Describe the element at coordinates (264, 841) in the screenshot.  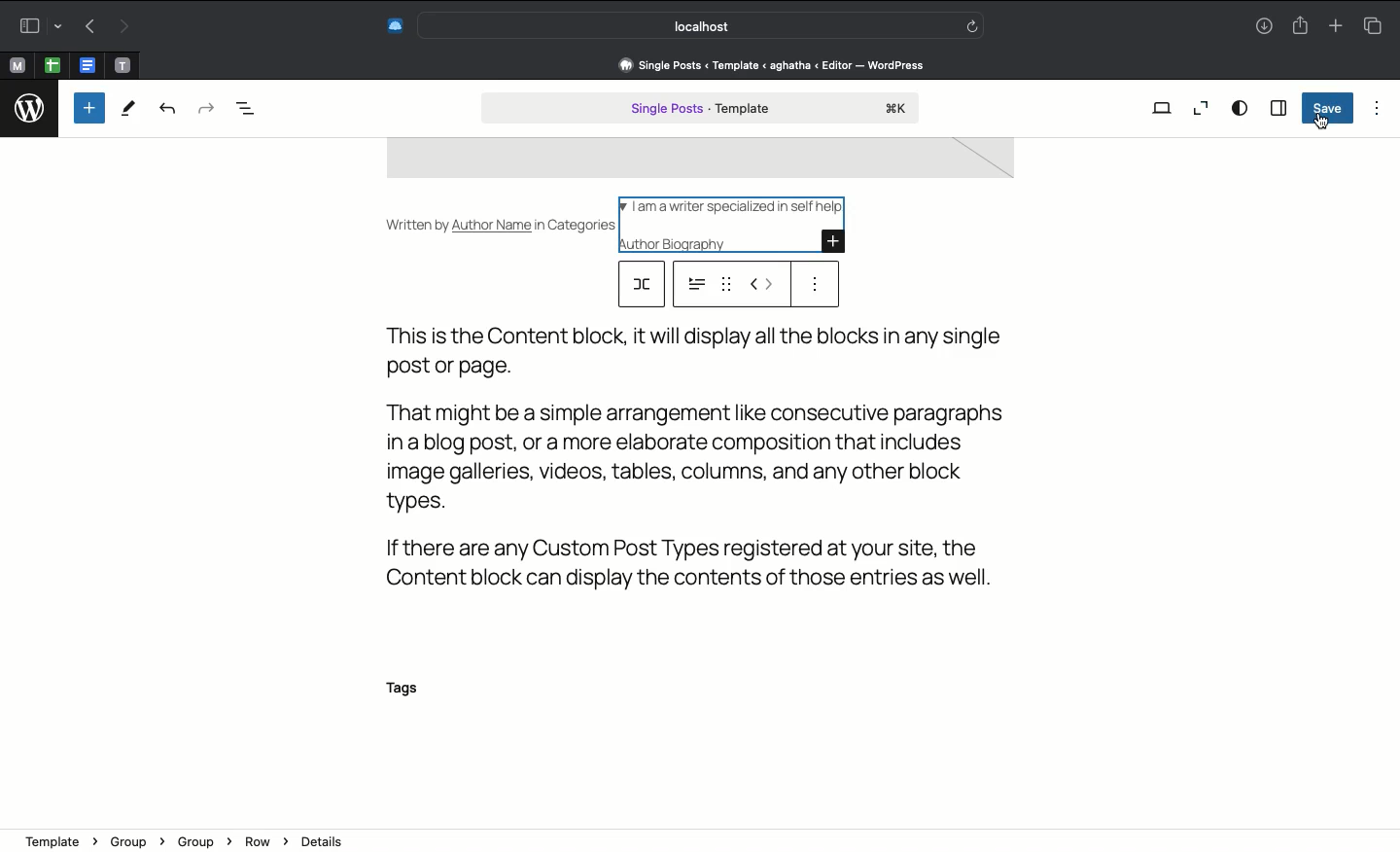
I see `Row` at that location.